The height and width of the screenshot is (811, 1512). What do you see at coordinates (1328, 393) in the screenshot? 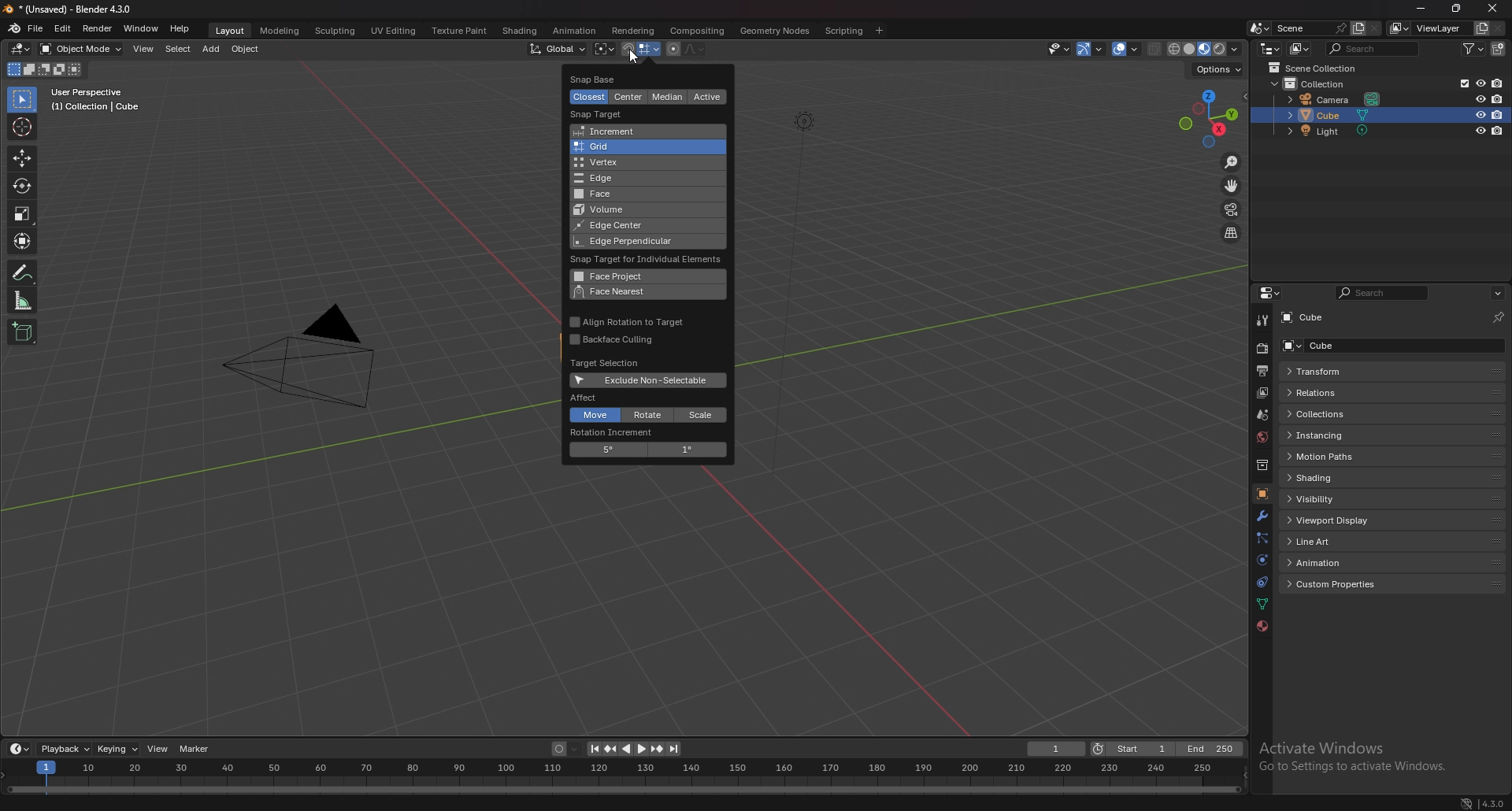
I see `relations` at bounding box center [1328, 393].